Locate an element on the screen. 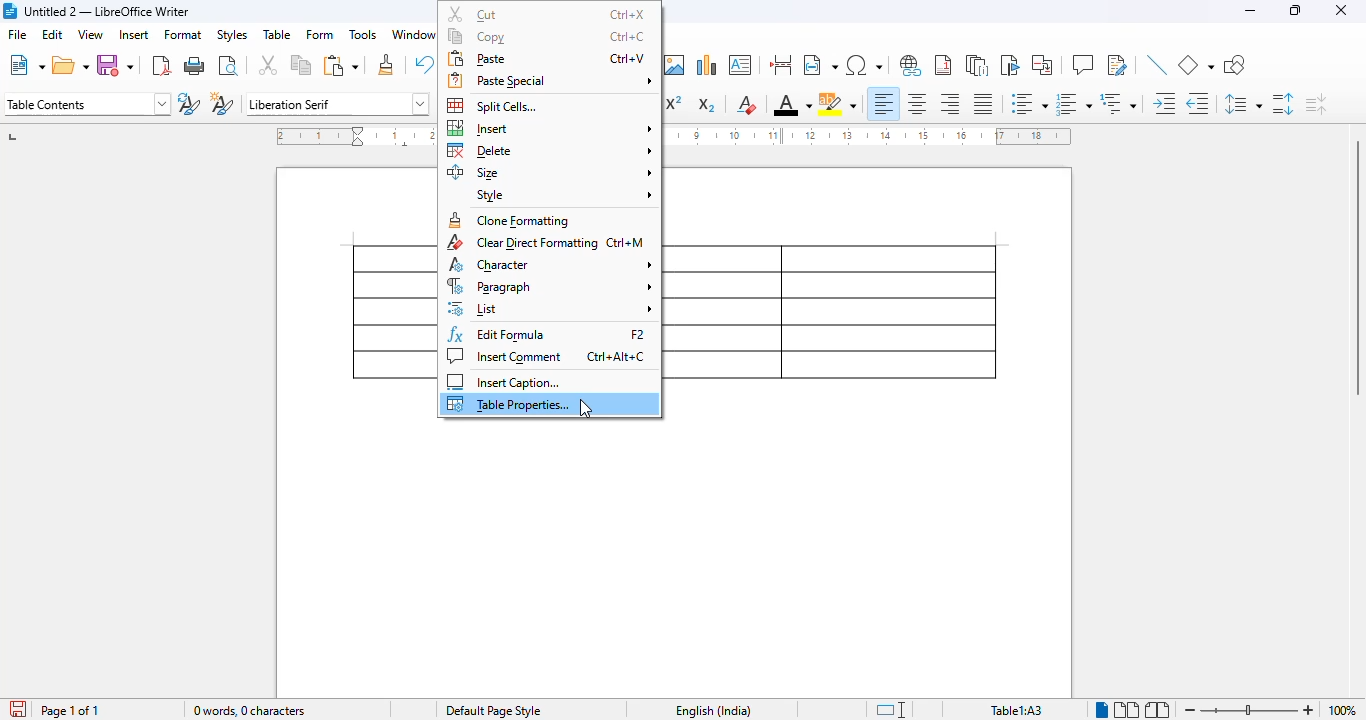  insert text box is located at coordinates (740, 65).